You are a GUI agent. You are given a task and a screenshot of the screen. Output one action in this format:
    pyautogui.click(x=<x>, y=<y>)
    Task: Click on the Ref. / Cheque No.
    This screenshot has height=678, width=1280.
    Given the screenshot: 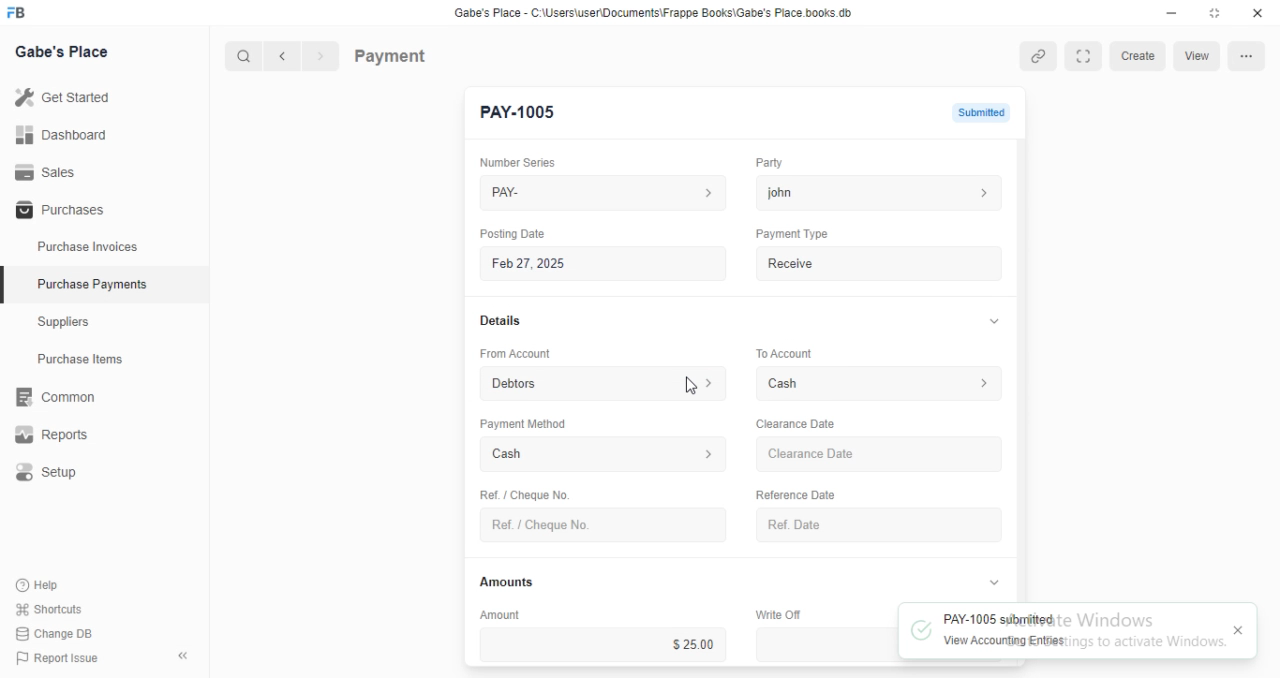 What is the action you would take?
    pyautogui.click(x=602, y=525)
    